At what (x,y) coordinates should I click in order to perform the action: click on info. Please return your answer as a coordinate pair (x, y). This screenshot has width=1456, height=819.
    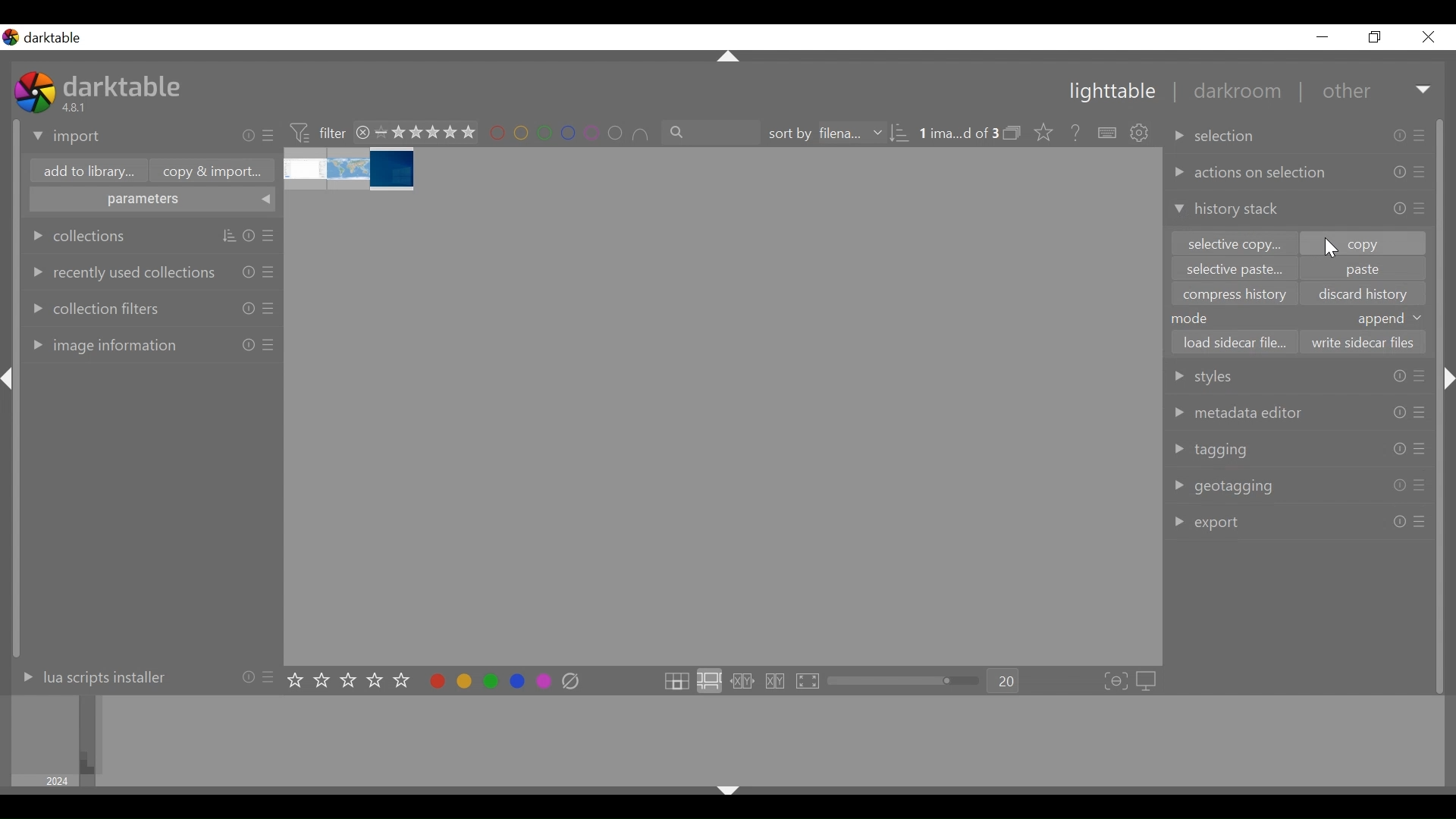
    Looking at the image, I should click on (1398, 413).